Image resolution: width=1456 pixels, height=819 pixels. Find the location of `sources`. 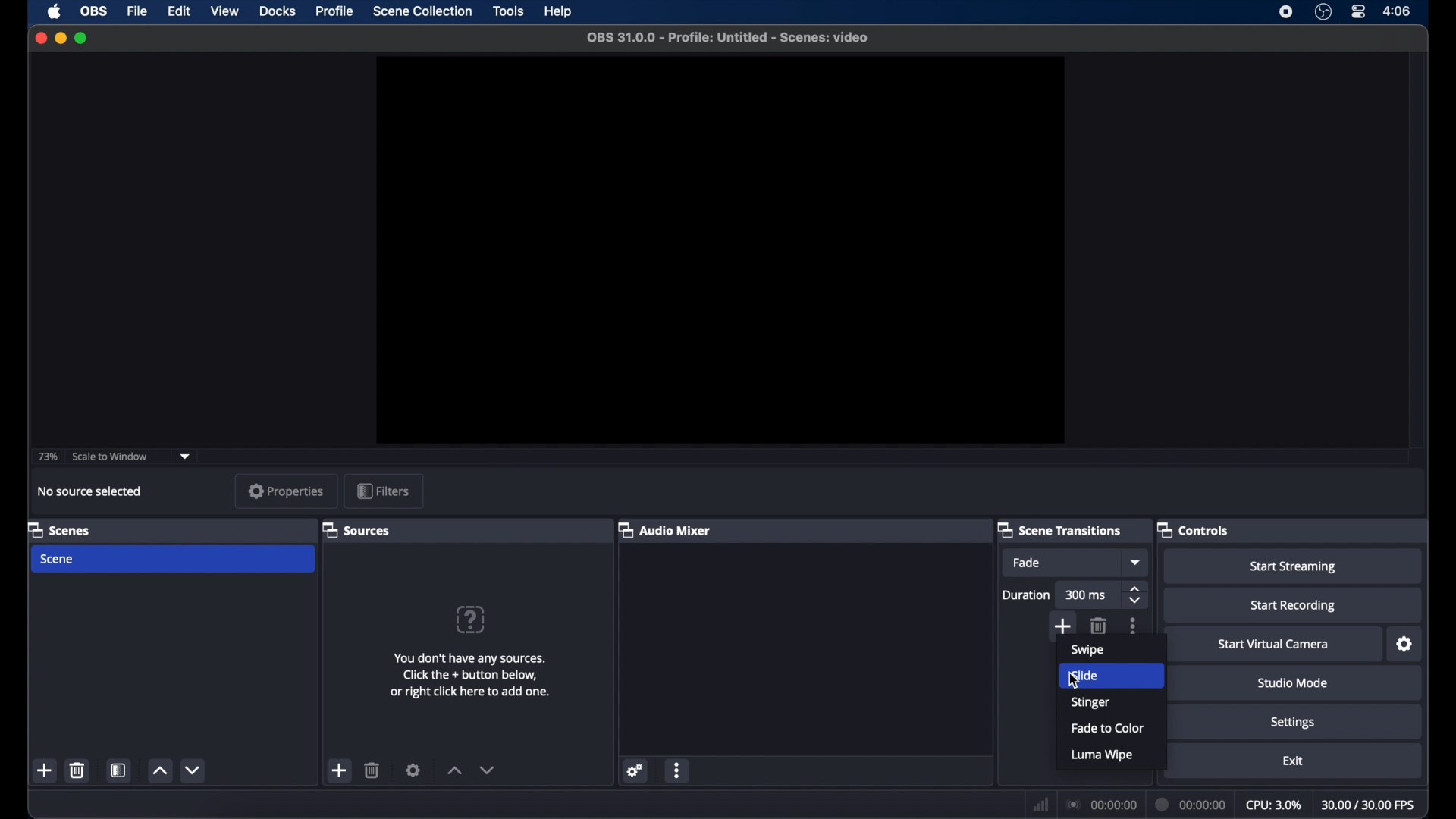

sources is located at coordinates (358, 531).